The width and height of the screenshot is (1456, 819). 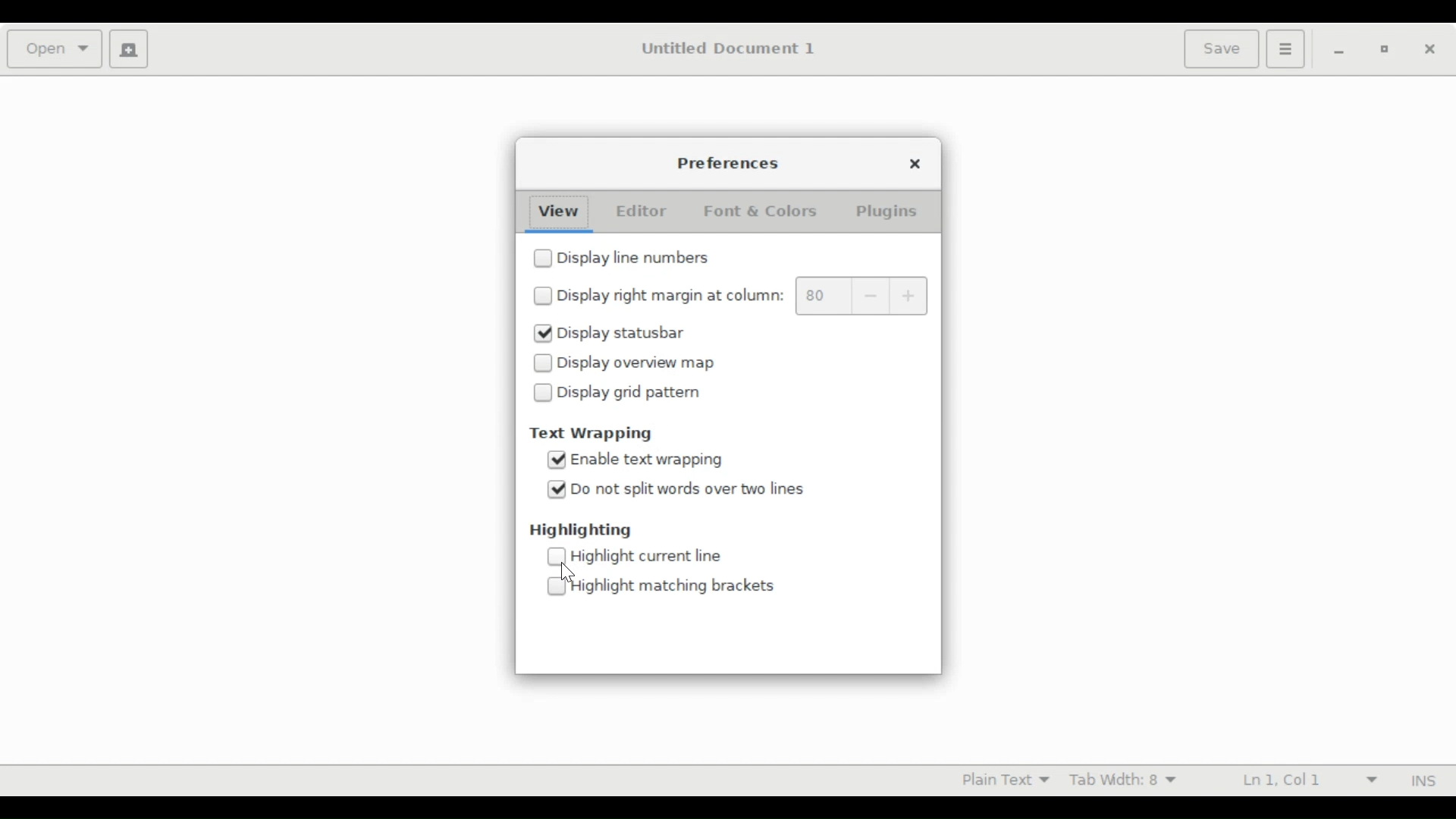 What do you see at coordinates (1389, 52) in the screenshot?
I see `Restore` at bounding box center [1389, 52].